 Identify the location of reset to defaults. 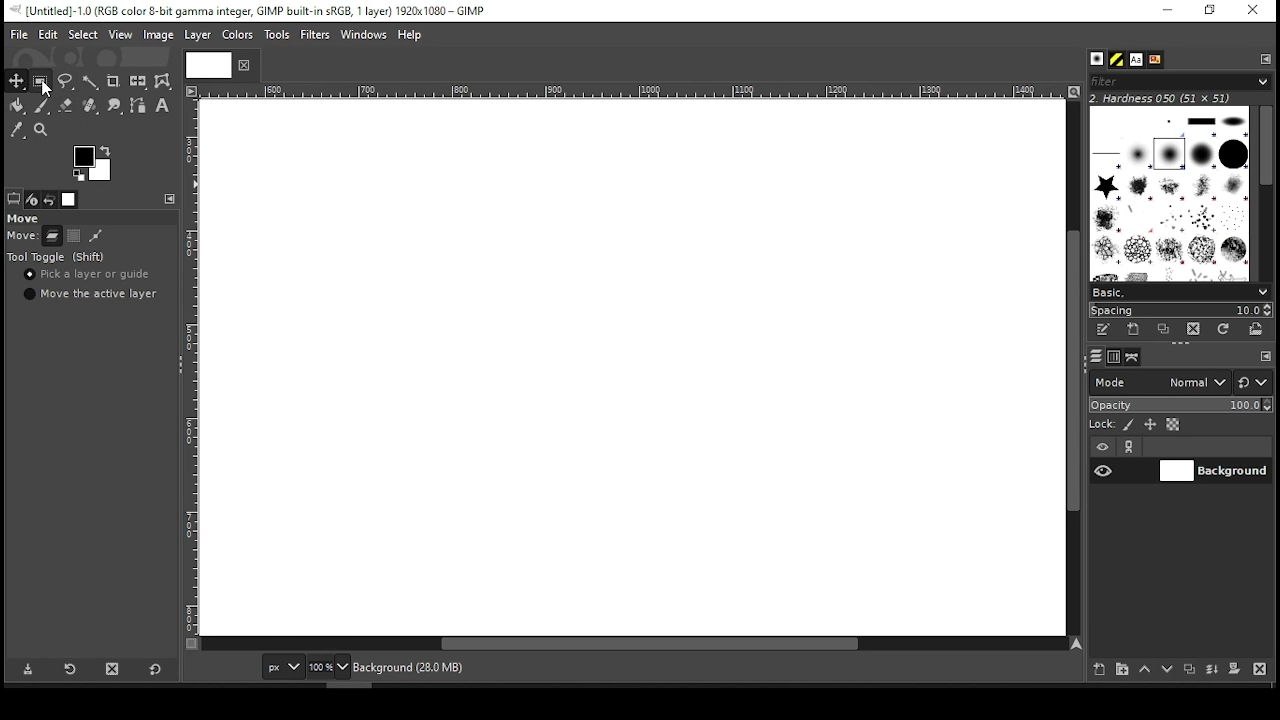
(156, 670).